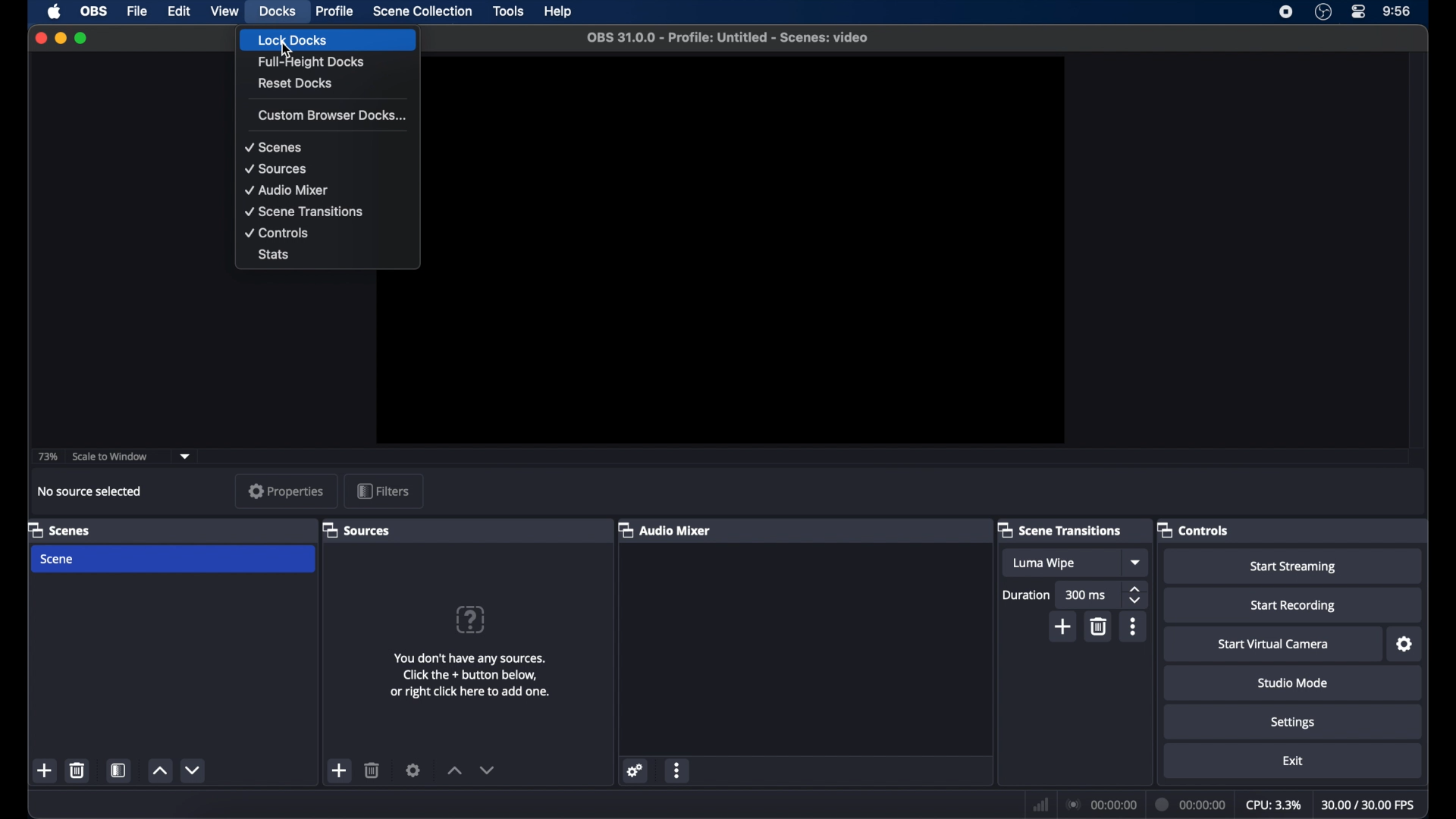 The width and height of the screenshot is (1456, 819). What do you see at coordinates (422, 11) in the screenshot?
I see `scene collection` at bounding box center [422, 11].